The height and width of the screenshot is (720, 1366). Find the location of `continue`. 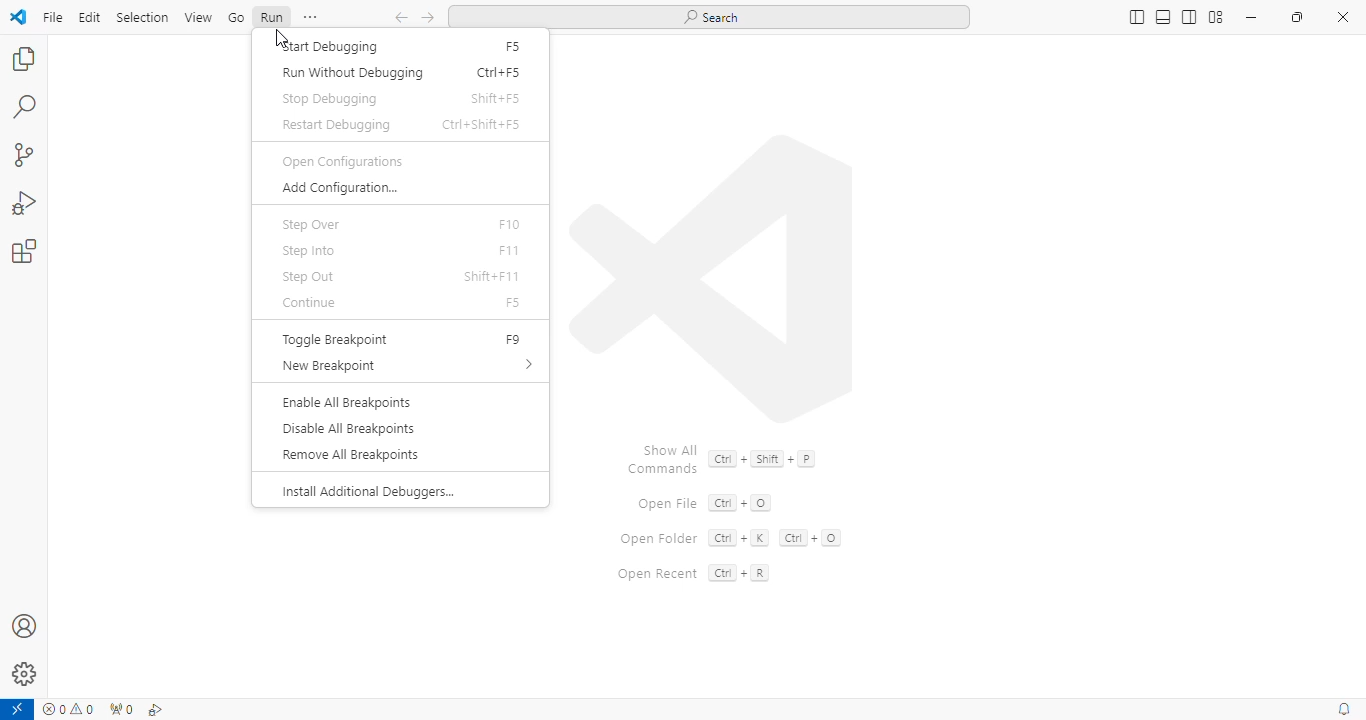

continue is located at coordinates (312, 303).